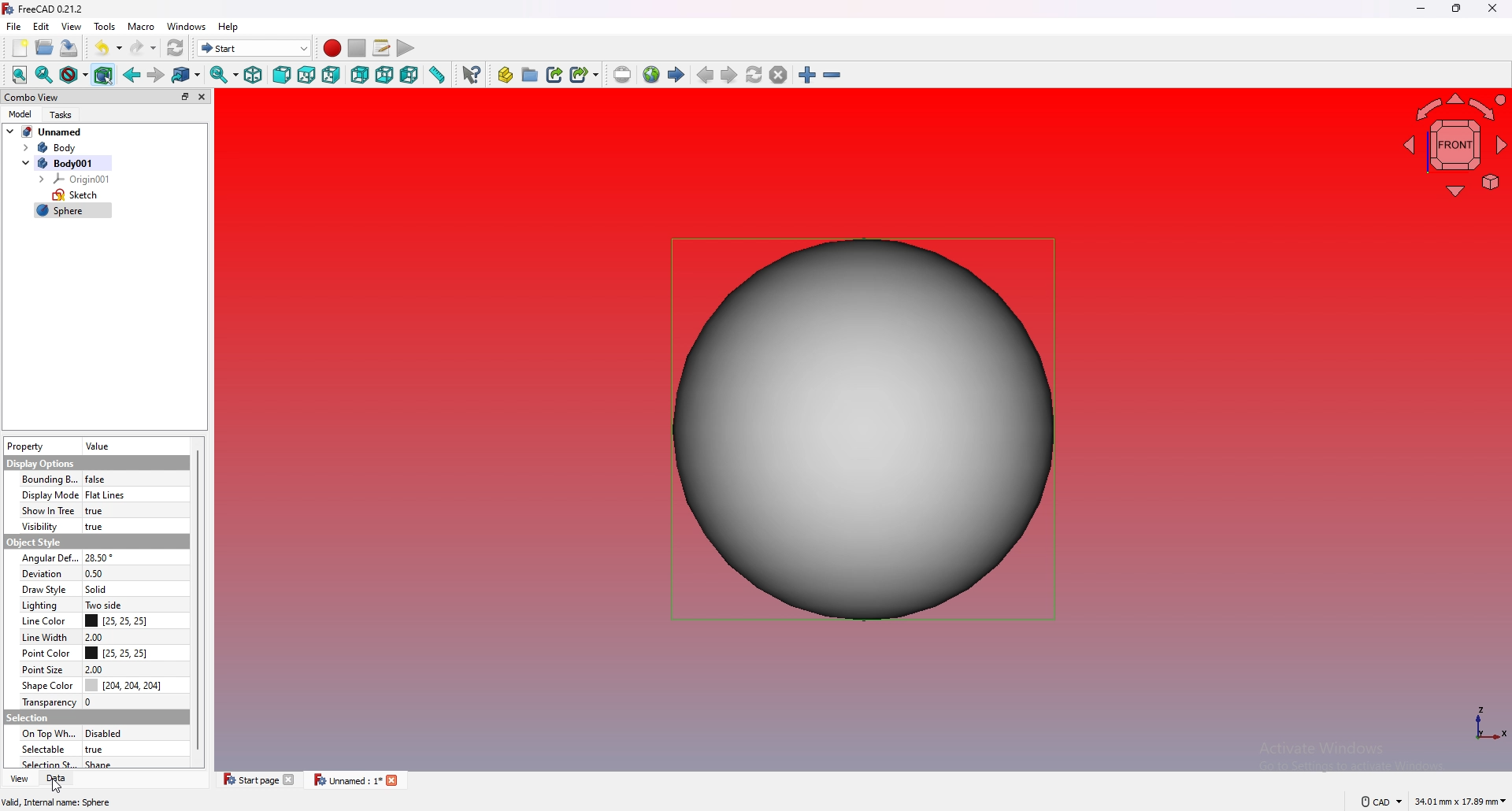 This screenshot has width=1512, height=811. Describe the element at coordinates (46, 131) in the screenshot. I see `unnamed` at that location.